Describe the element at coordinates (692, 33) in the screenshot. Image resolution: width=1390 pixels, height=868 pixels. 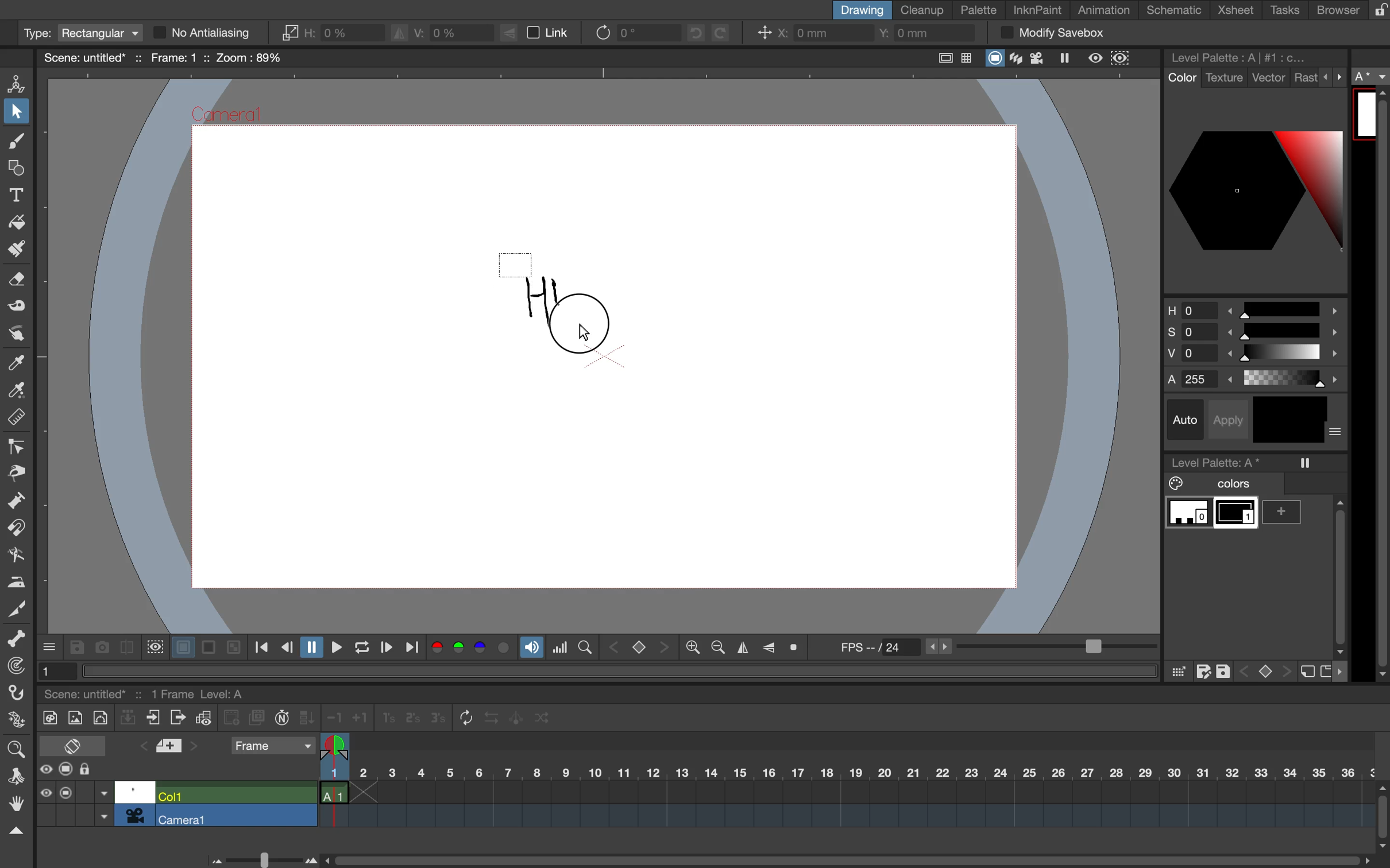
I see `undo` at that location.